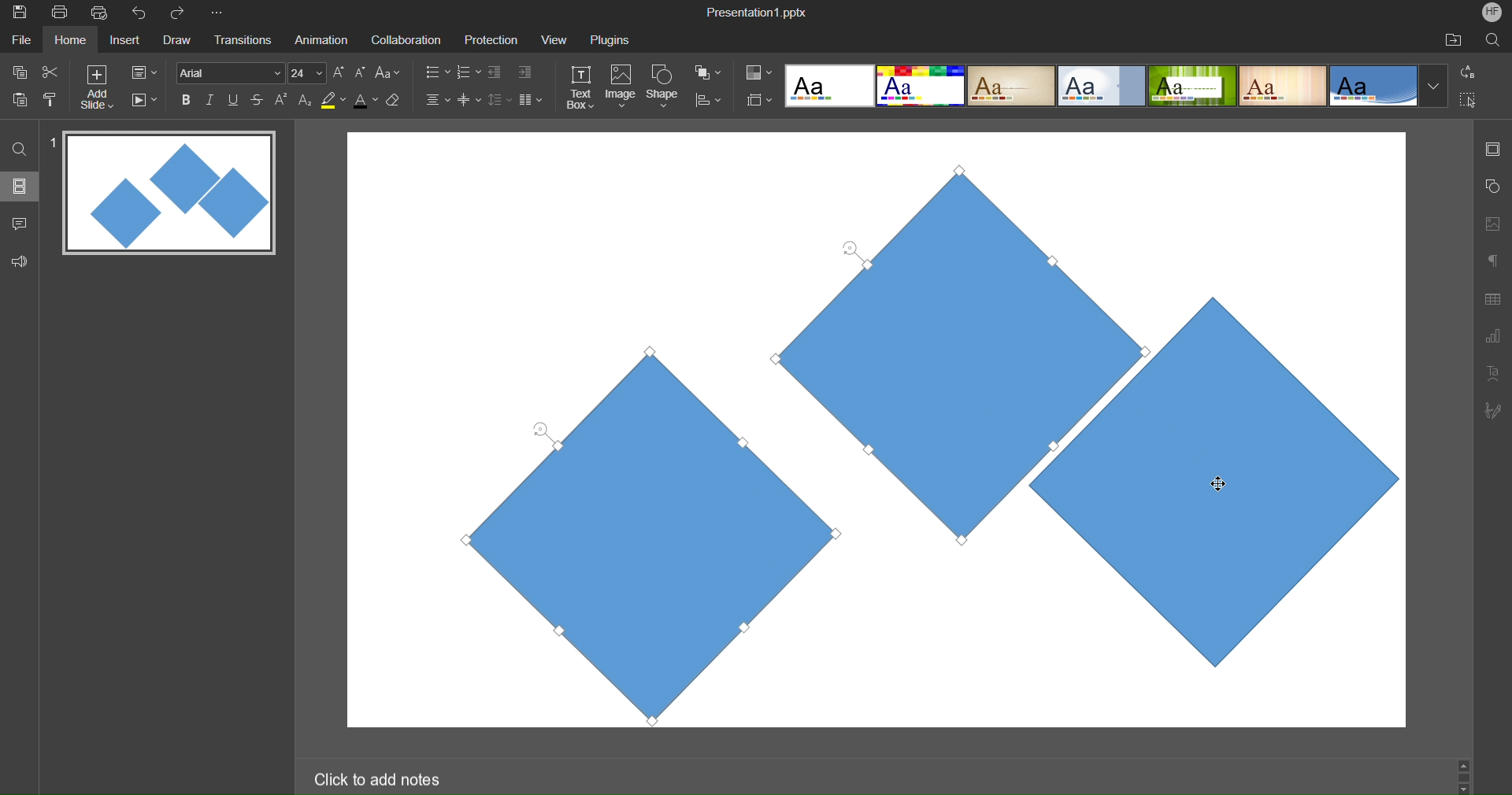 This screenshot has width=1512, height=795. I want to click on Font Size, so click(307, 73).